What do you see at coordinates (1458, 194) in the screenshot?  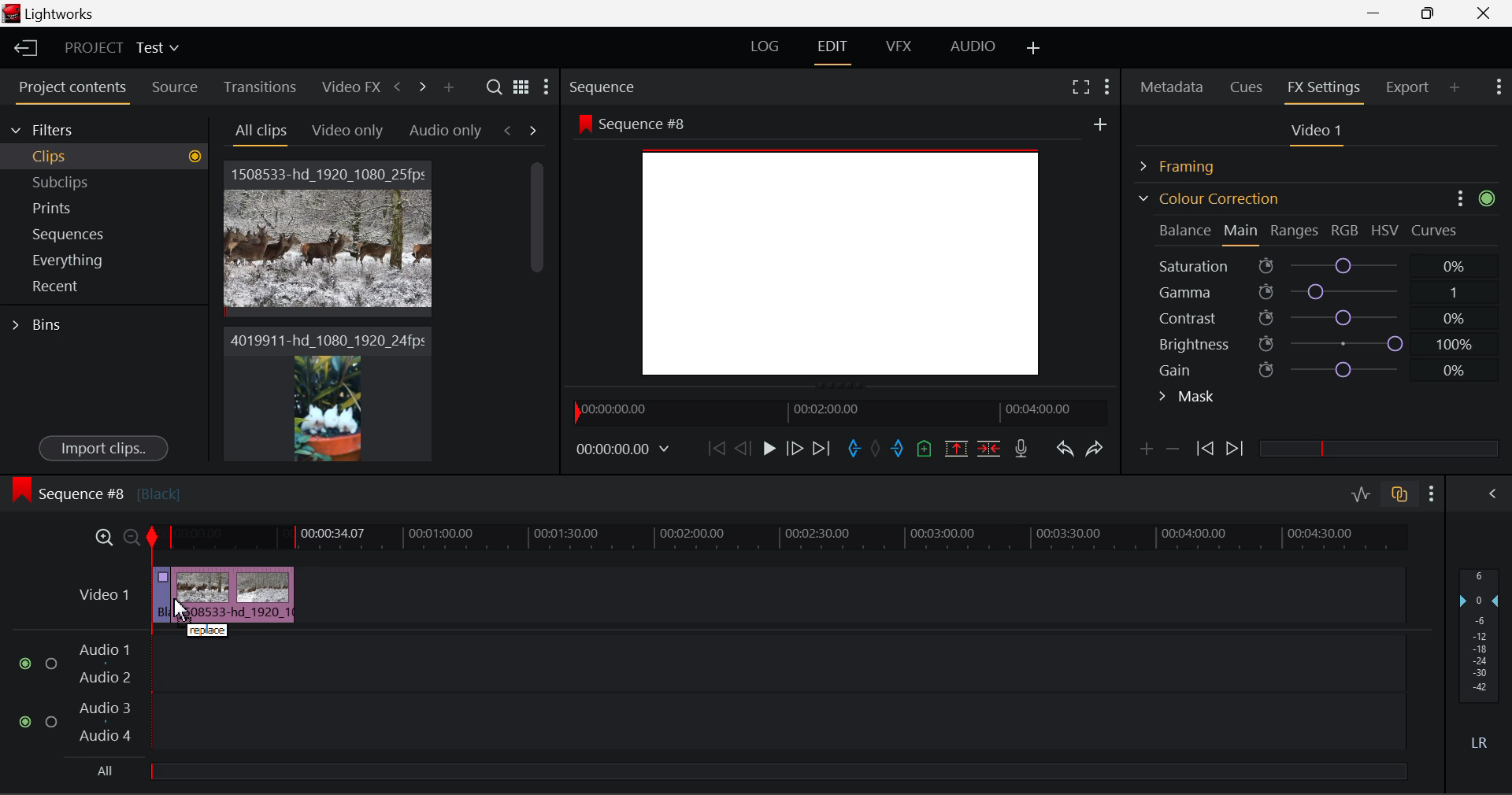 I see `Options` at bounding box center [1458, 194].